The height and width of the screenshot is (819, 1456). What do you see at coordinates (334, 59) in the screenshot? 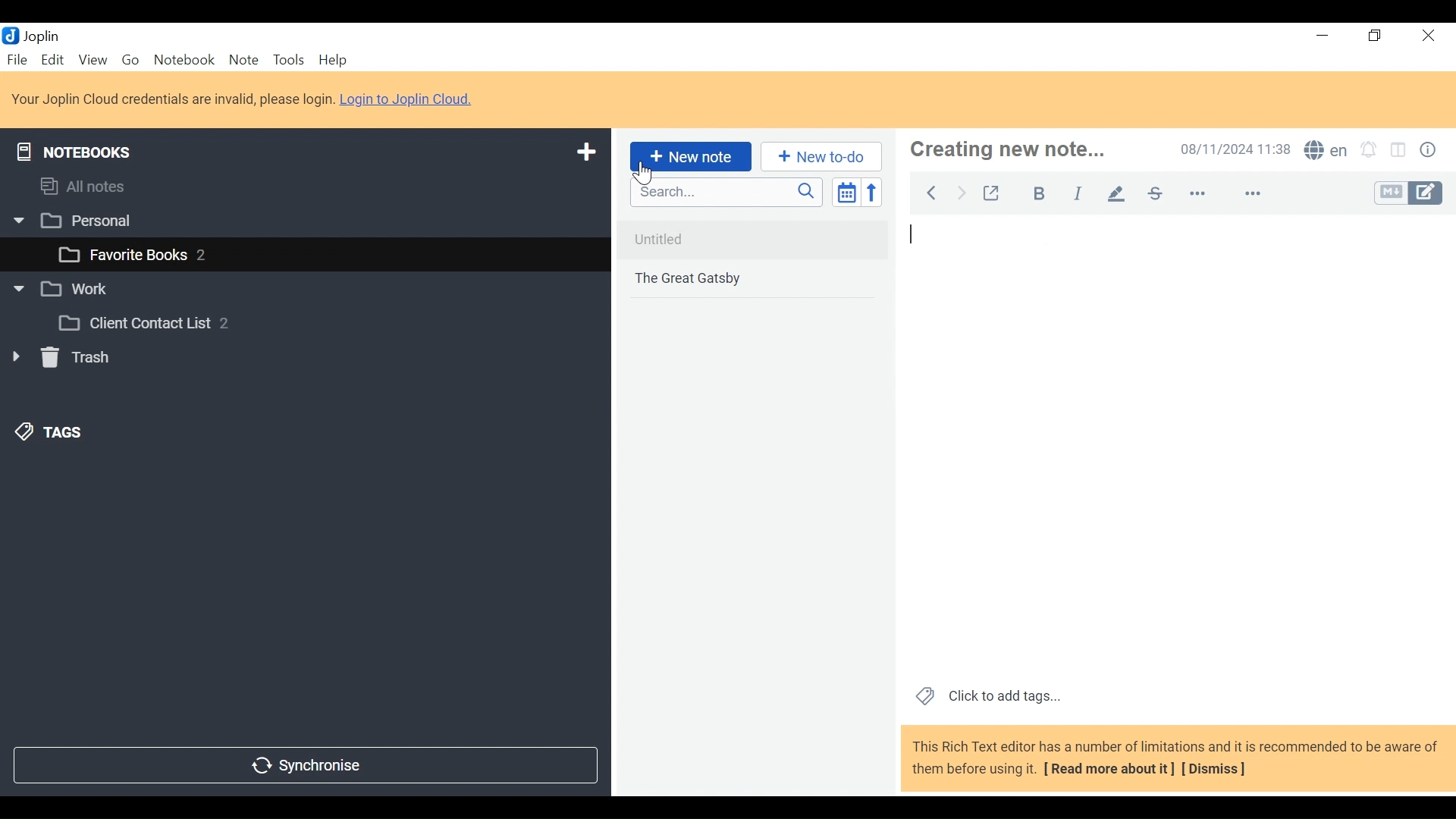
I see `` at bounding box center [334, 59].